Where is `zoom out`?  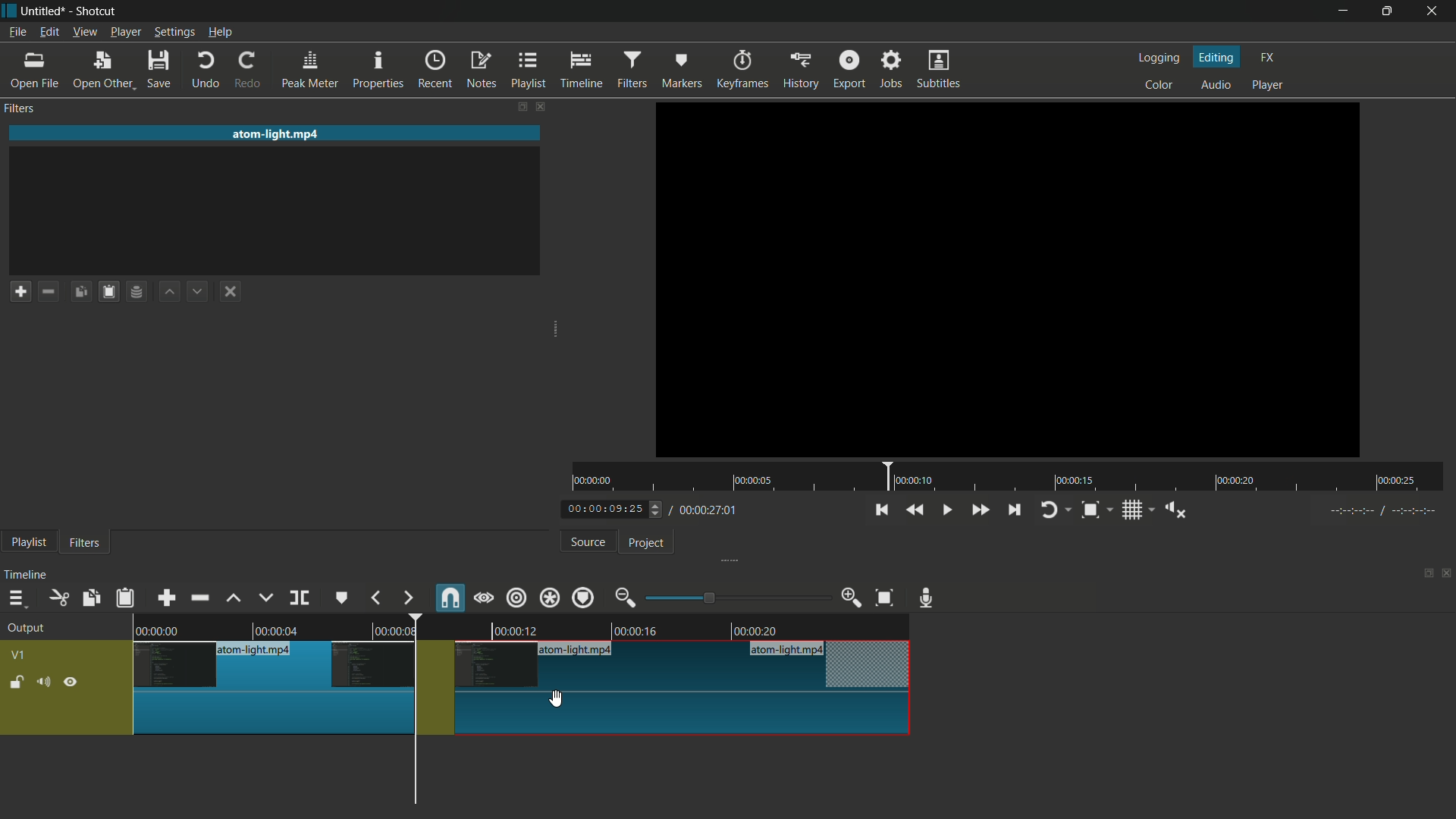 zoom out is located at coordinates (627, 598).